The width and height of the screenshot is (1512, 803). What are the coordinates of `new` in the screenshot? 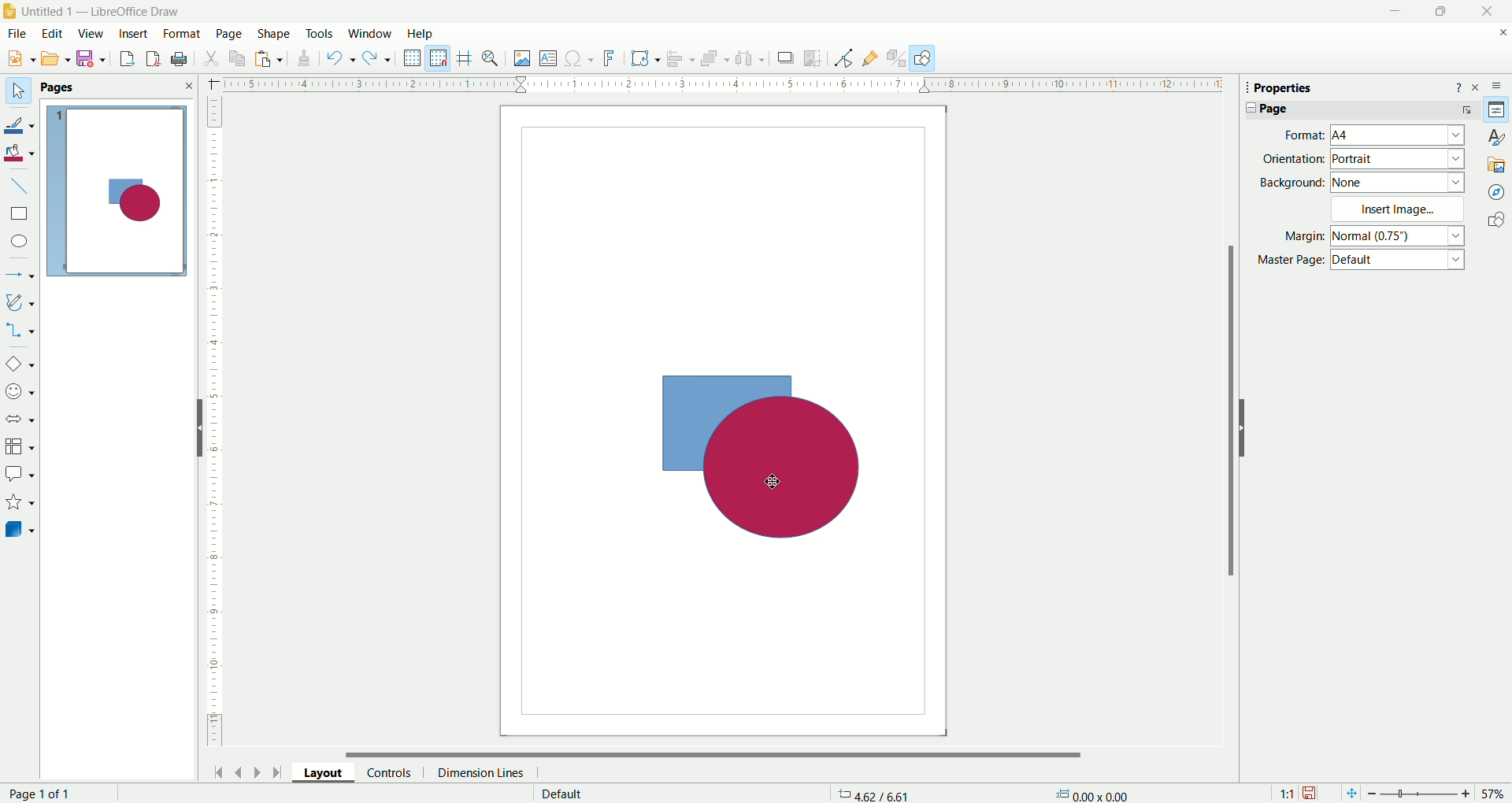 It's located at (18, 59).